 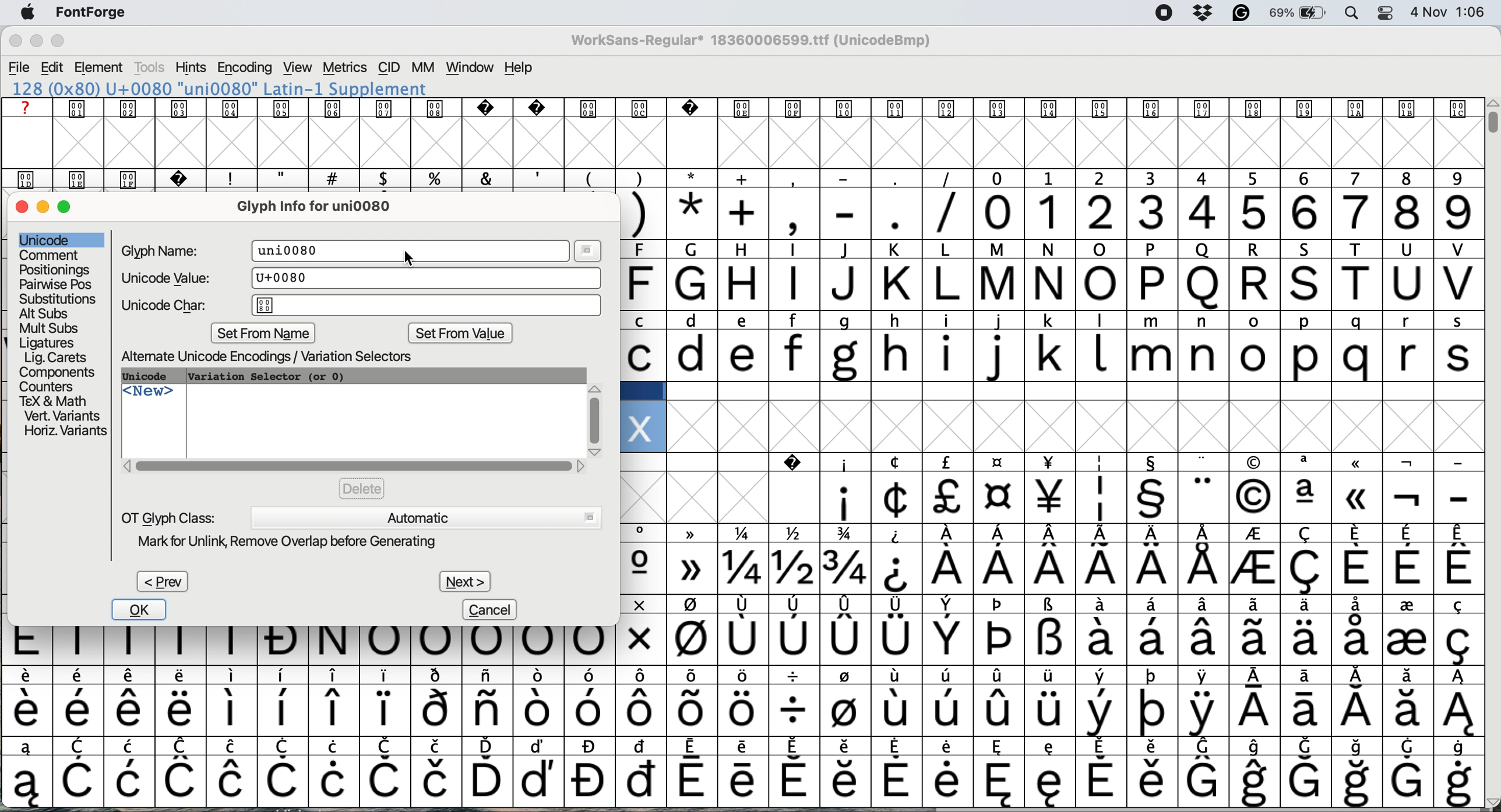 What do you see at coordinates (295, 68) in the screenshot?
I see `view` at bounding box center [295, 68].